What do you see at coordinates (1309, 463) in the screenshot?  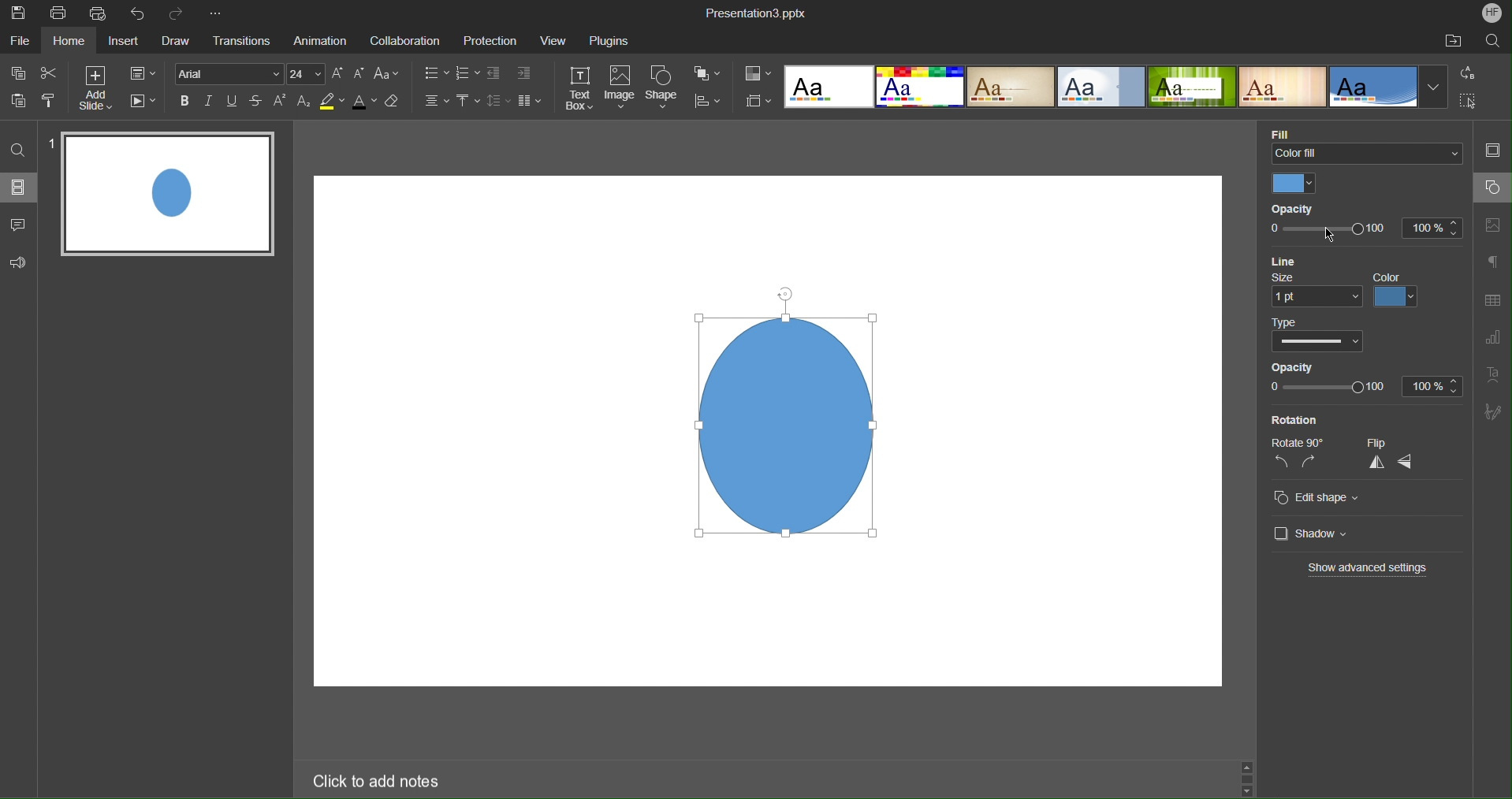 I see `Rotate CW` at bounding box center [1309, 463].